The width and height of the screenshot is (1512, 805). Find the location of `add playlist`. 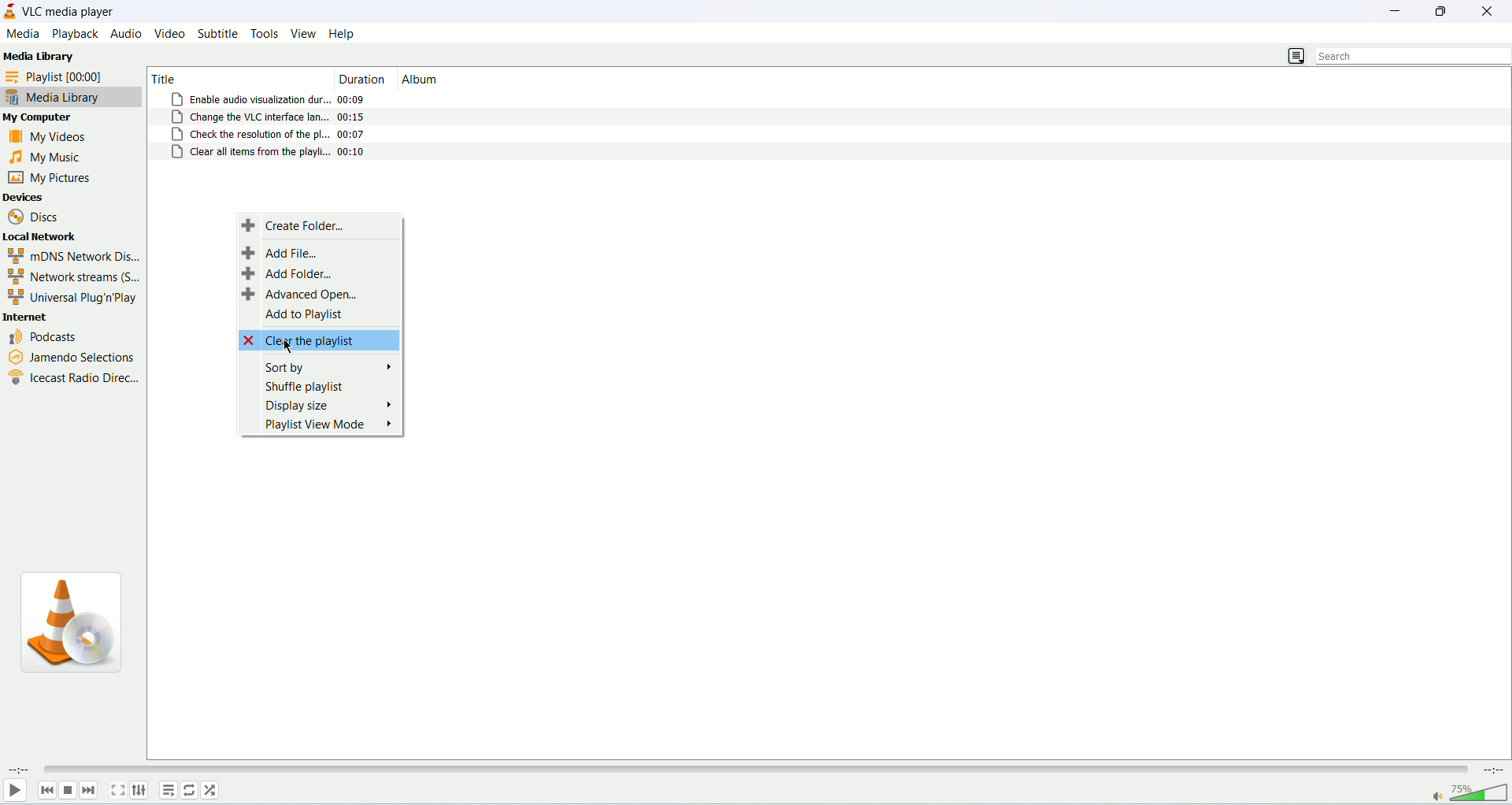

add playlist is located at coordinates (305, 316).